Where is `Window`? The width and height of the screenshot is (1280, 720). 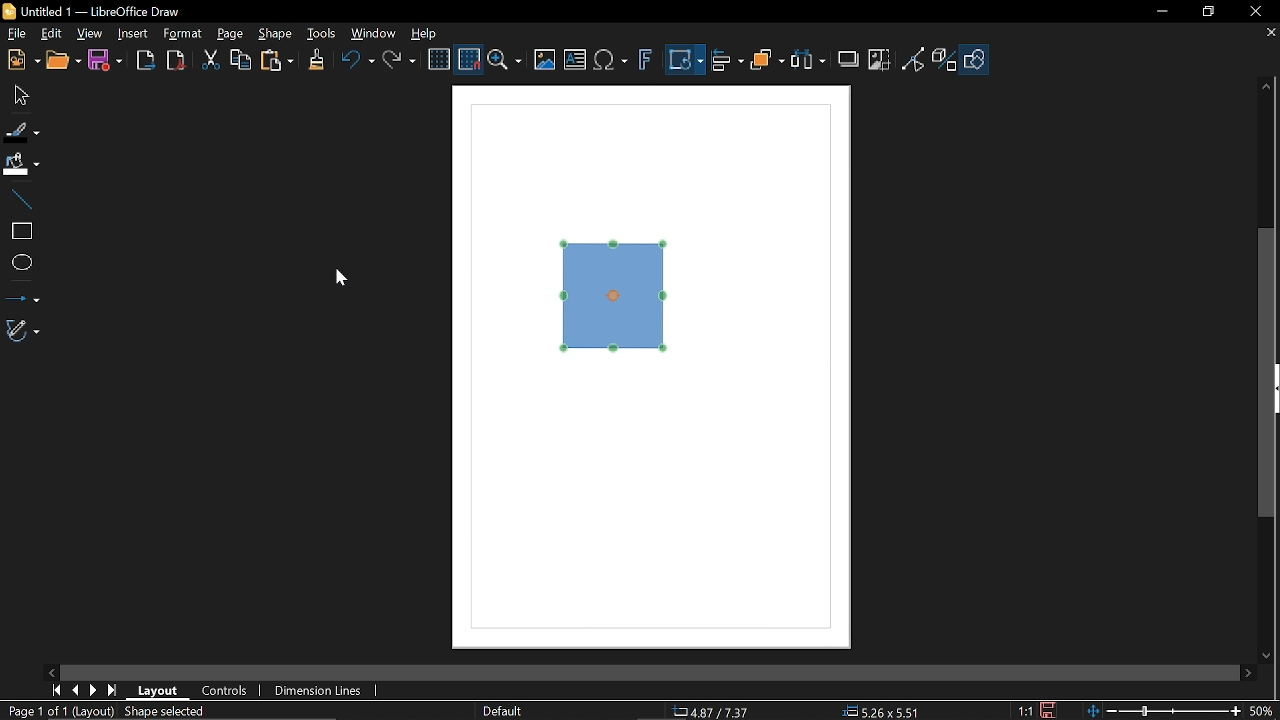 Window is located at coordinates (374, 33).